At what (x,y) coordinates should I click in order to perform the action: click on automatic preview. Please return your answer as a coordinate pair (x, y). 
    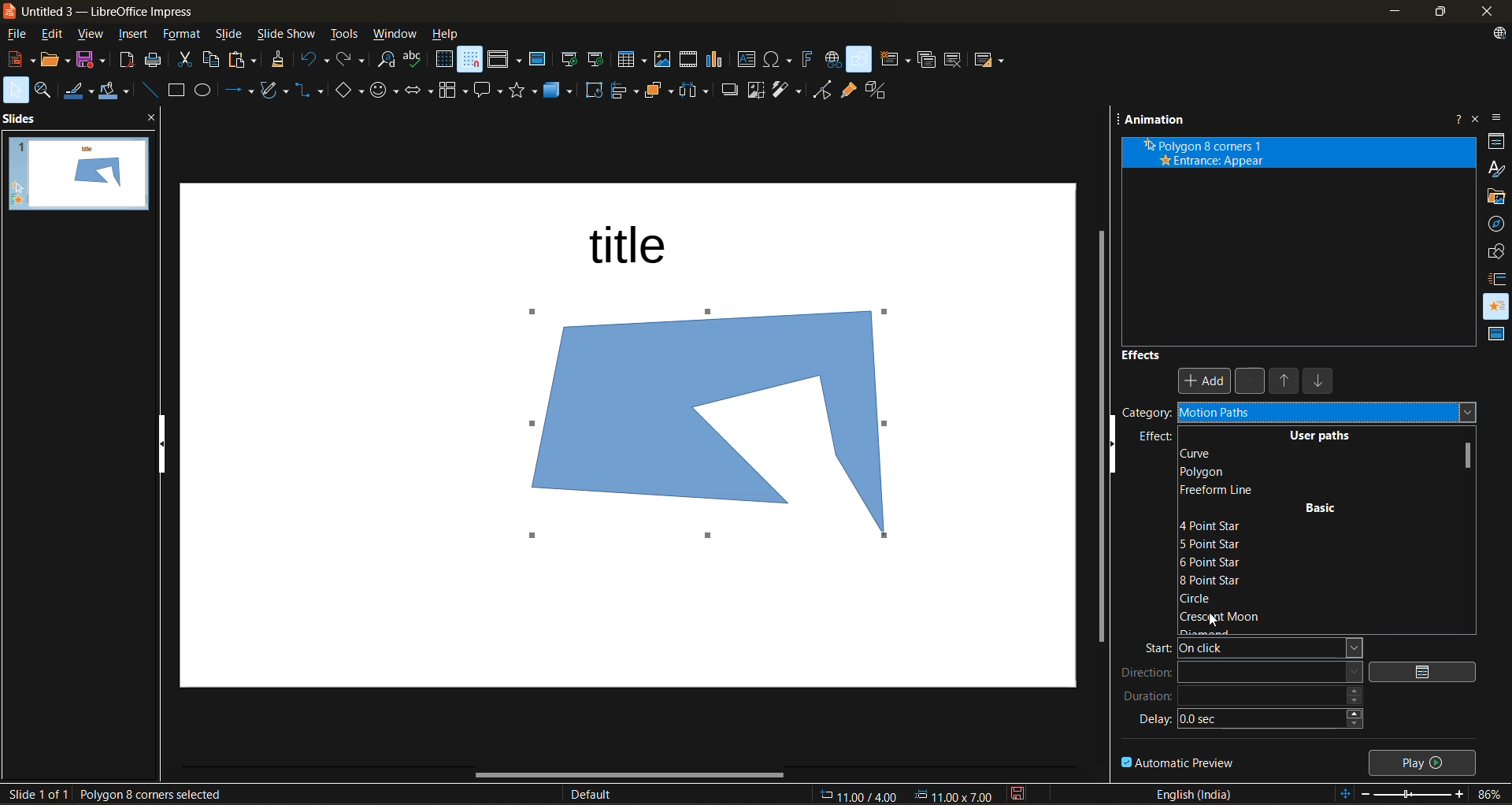
    Looking at the image, I should click on (1180, 762).